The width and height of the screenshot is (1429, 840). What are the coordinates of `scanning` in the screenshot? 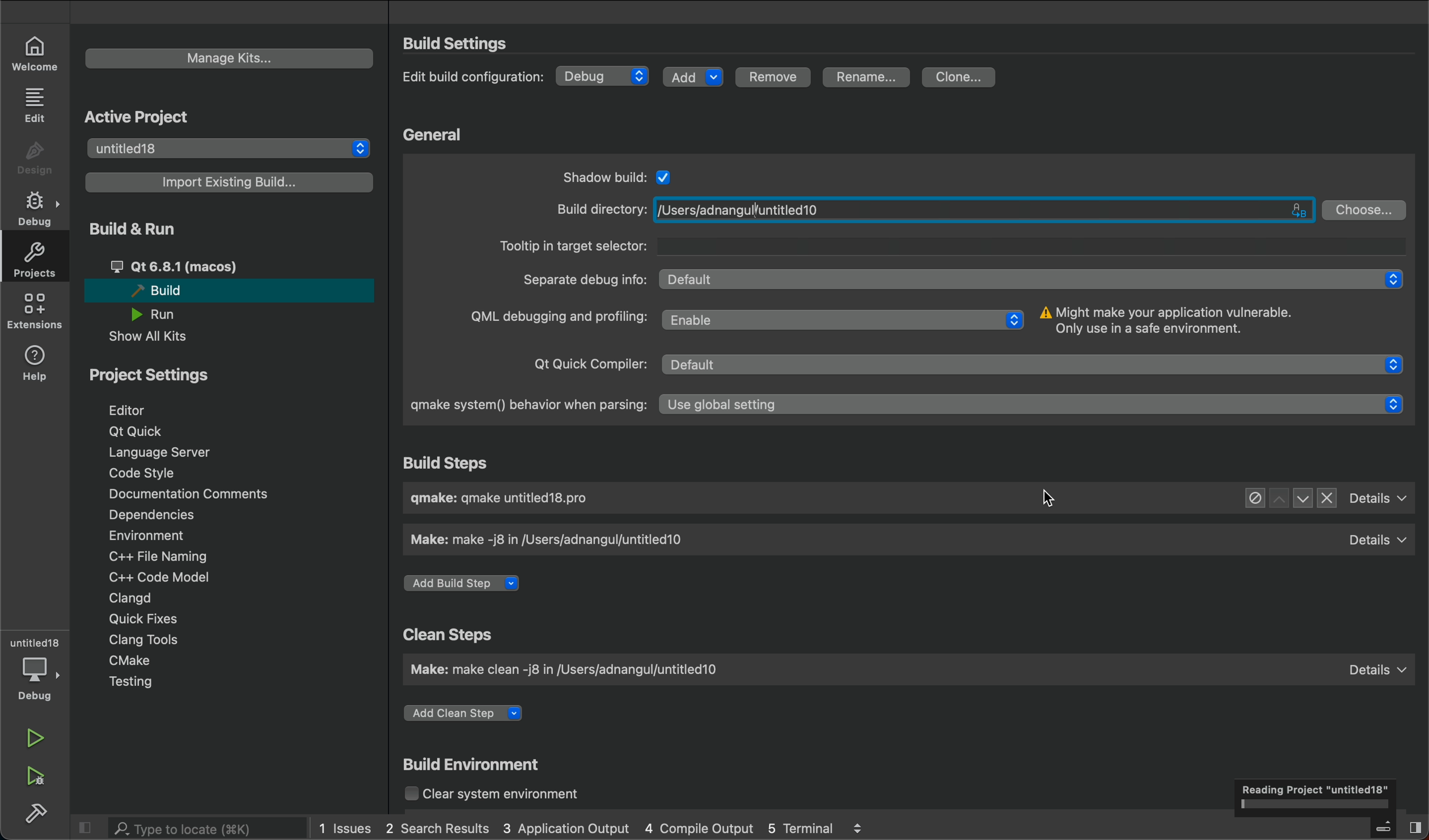 It's located at (1317, 796).